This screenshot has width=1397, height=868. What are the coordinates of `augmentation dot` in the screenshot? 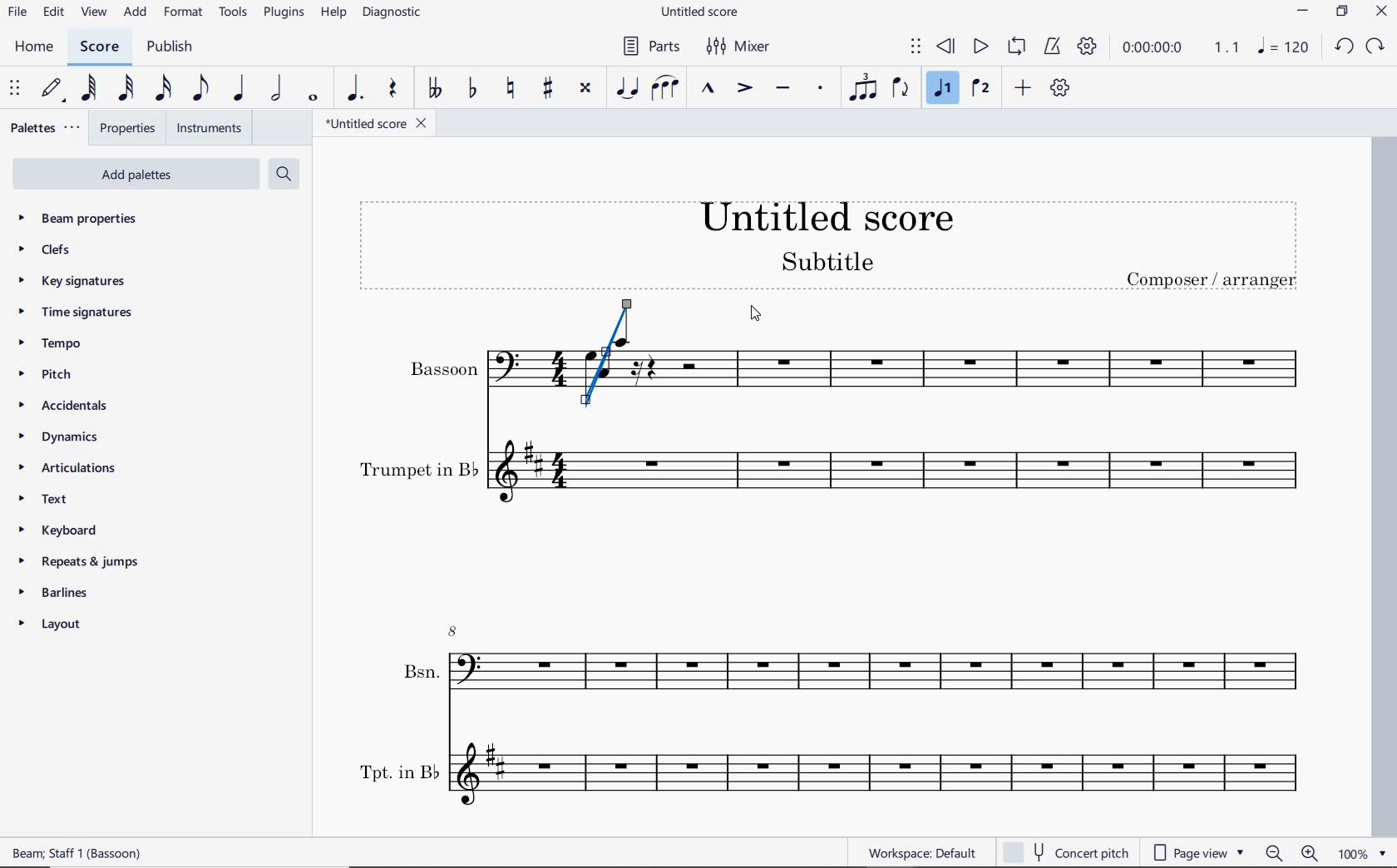 It's located at (355, 87).